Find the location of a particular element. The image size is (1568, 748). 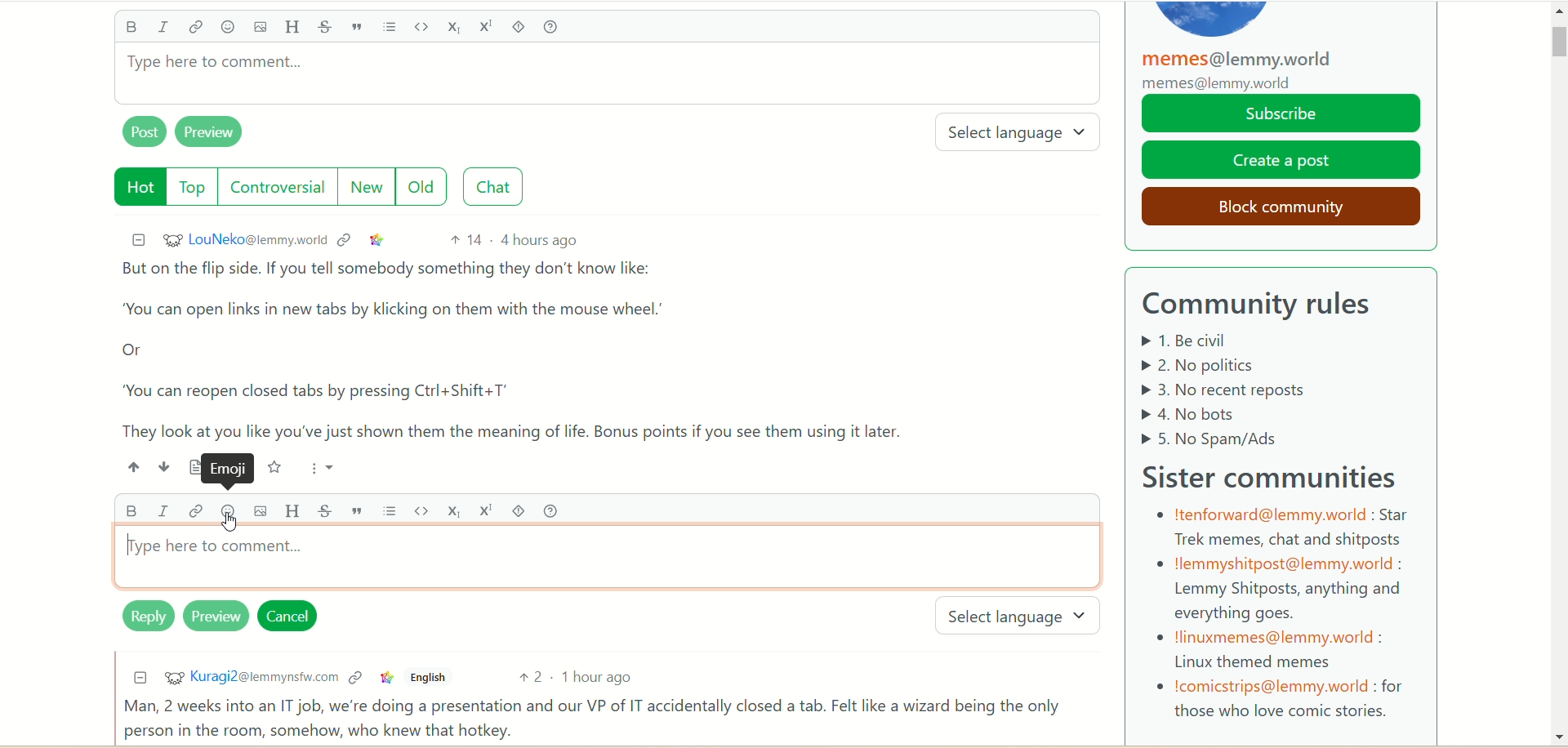

14 votes up is located at coordinates (465, 240).